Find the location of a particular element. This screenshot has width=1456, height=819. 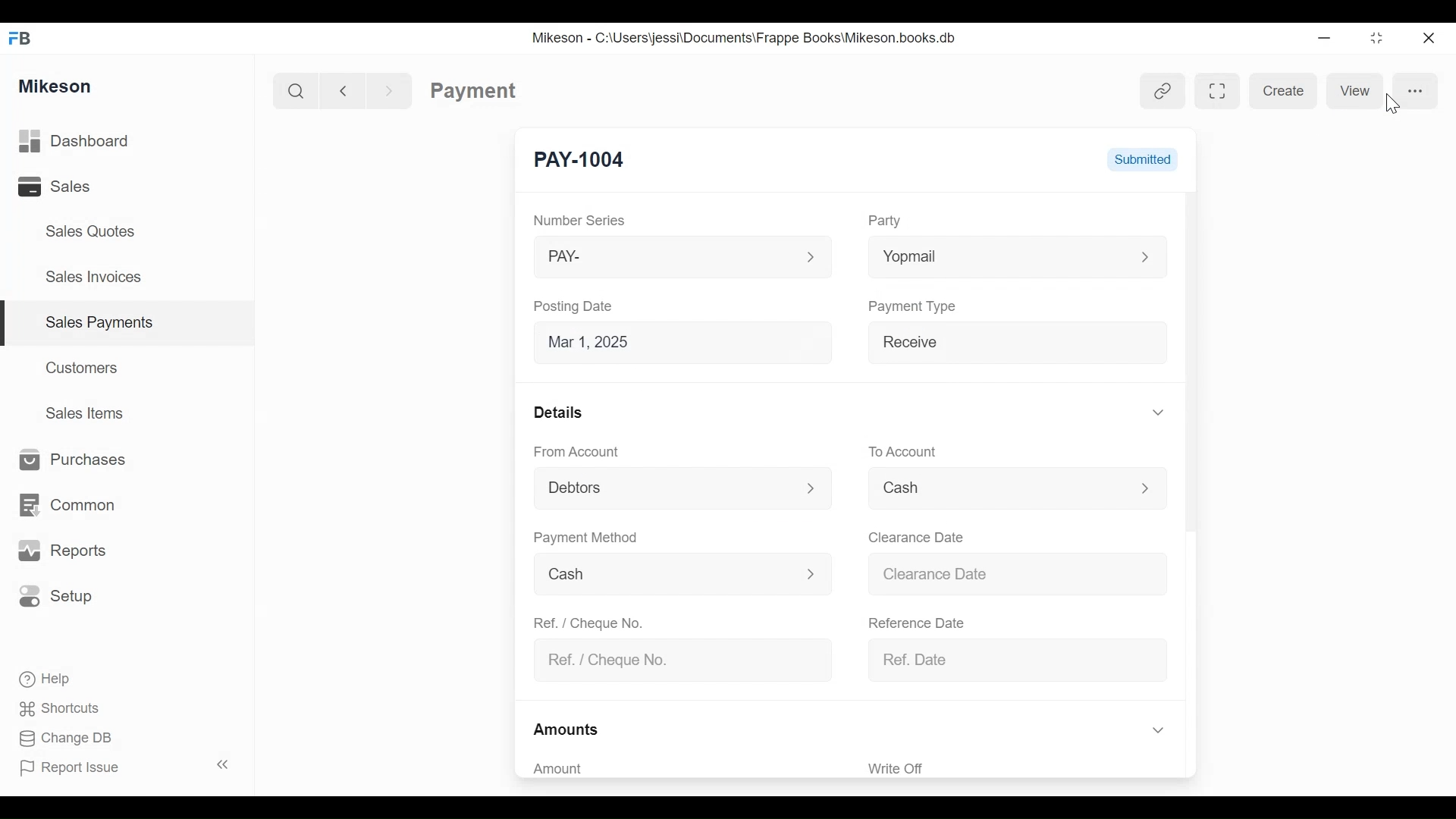

Ref. Date is located at coordinates (1018, 657).